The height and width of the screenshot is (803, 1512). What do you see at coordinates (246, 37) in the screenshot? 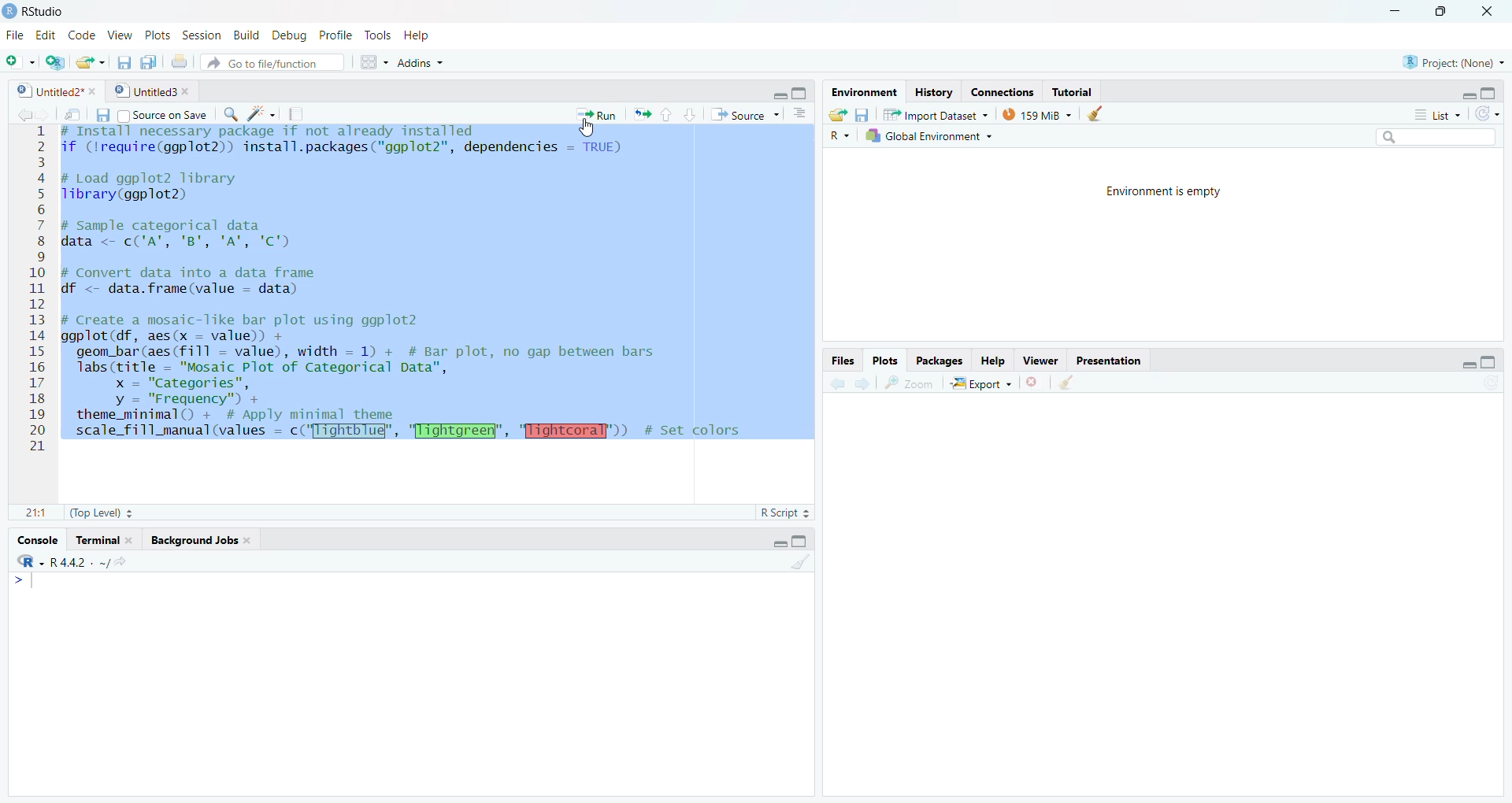
I see `Build` at bounding box center [246, 37].